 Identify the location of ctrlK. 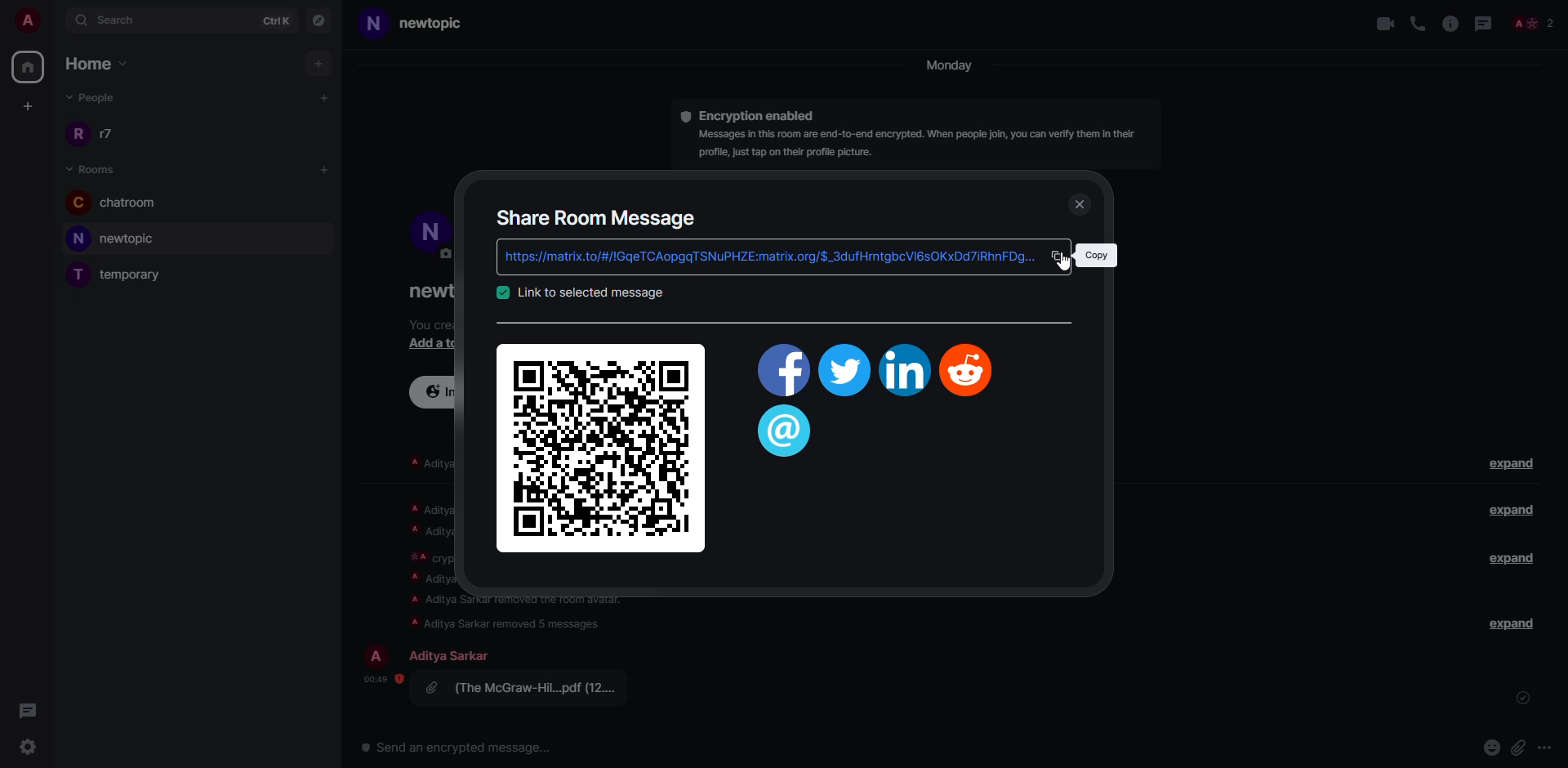
(278, 19).